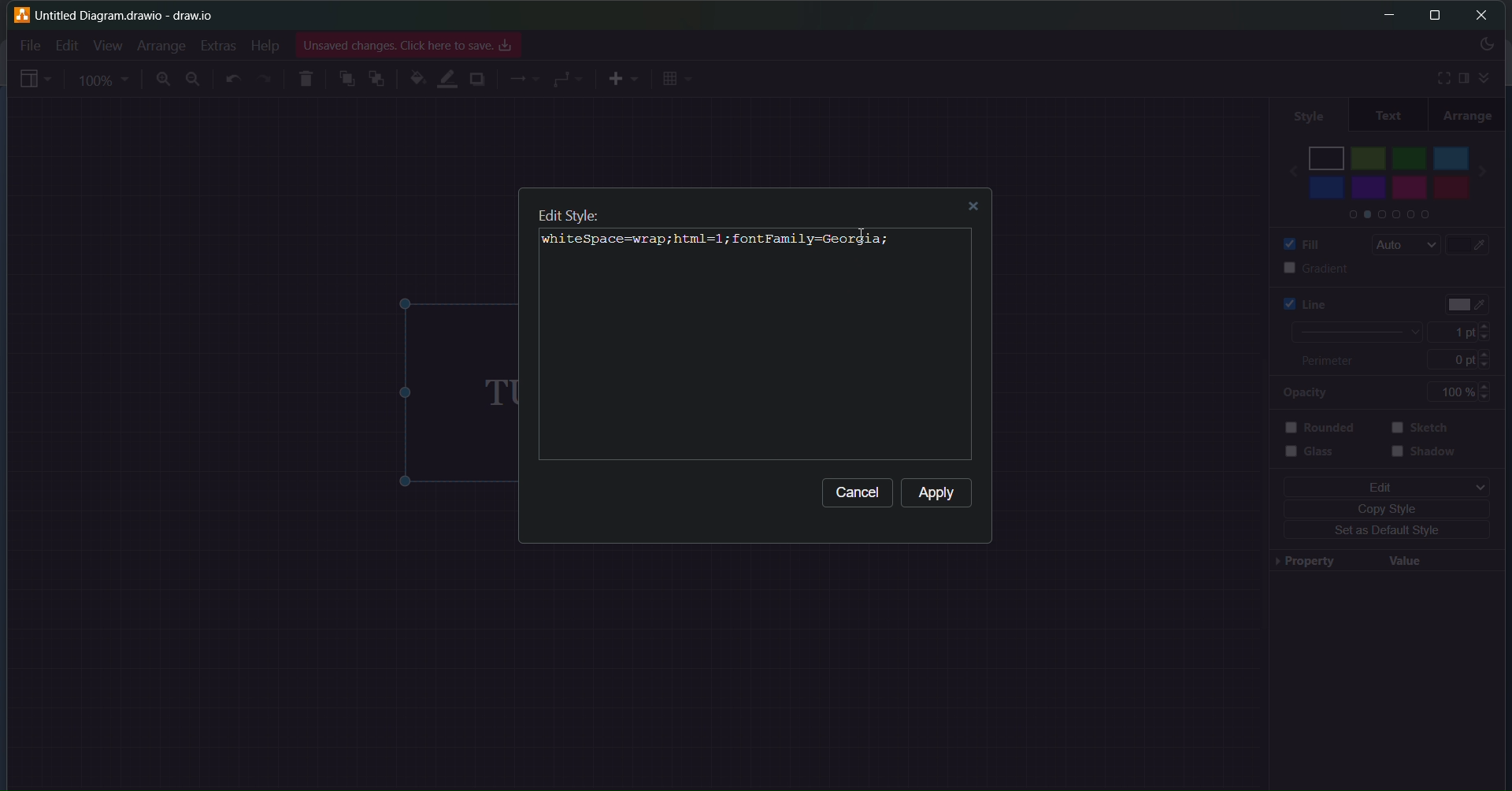 This screenshot has width=1512, height=791. Describe the element at coordinates (1483, 15) in the screenshot. I see `close` at that location.